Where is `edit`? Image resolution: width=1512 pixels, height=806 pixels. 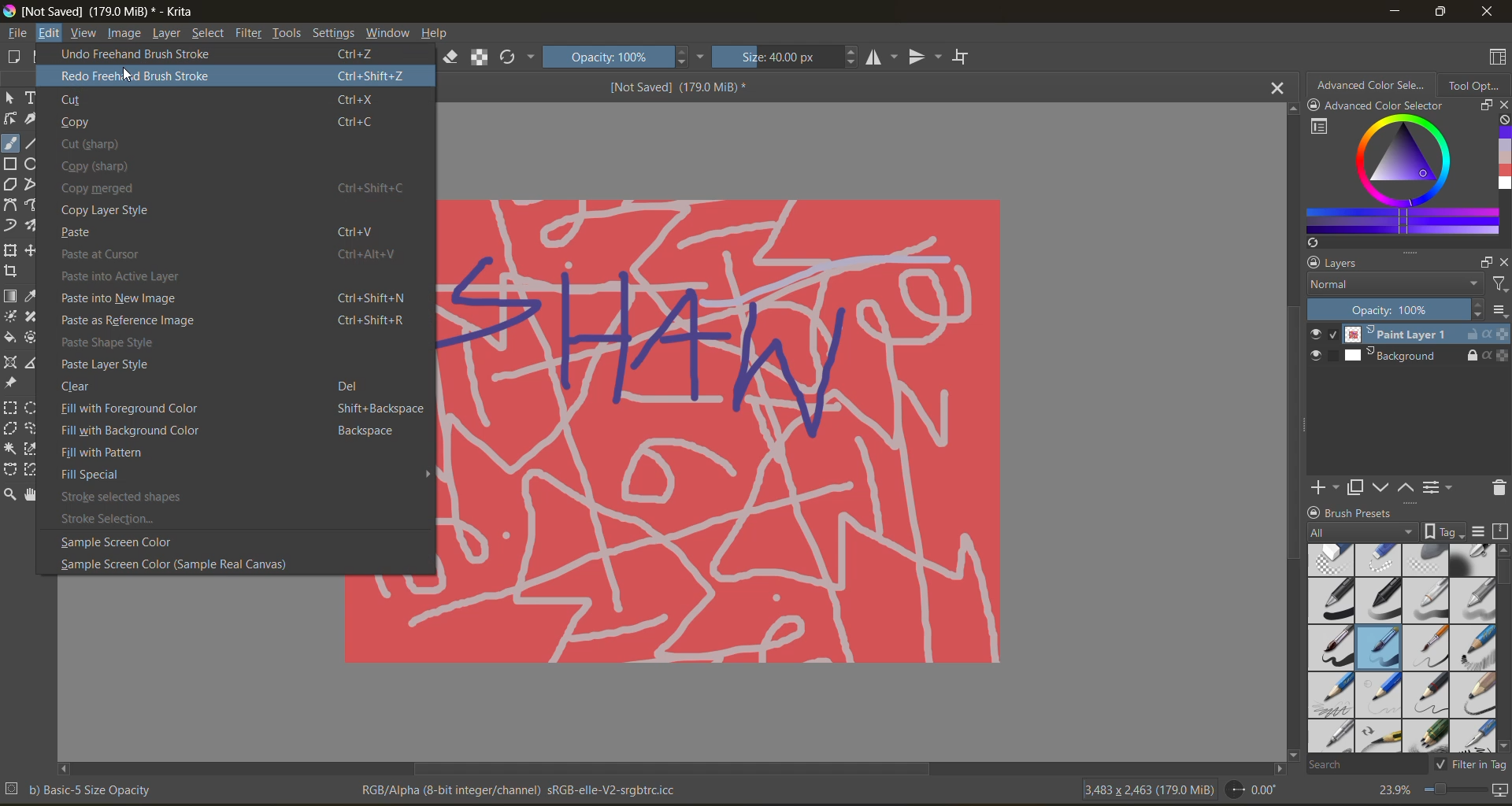 edit is located at coordinates (50, 33).